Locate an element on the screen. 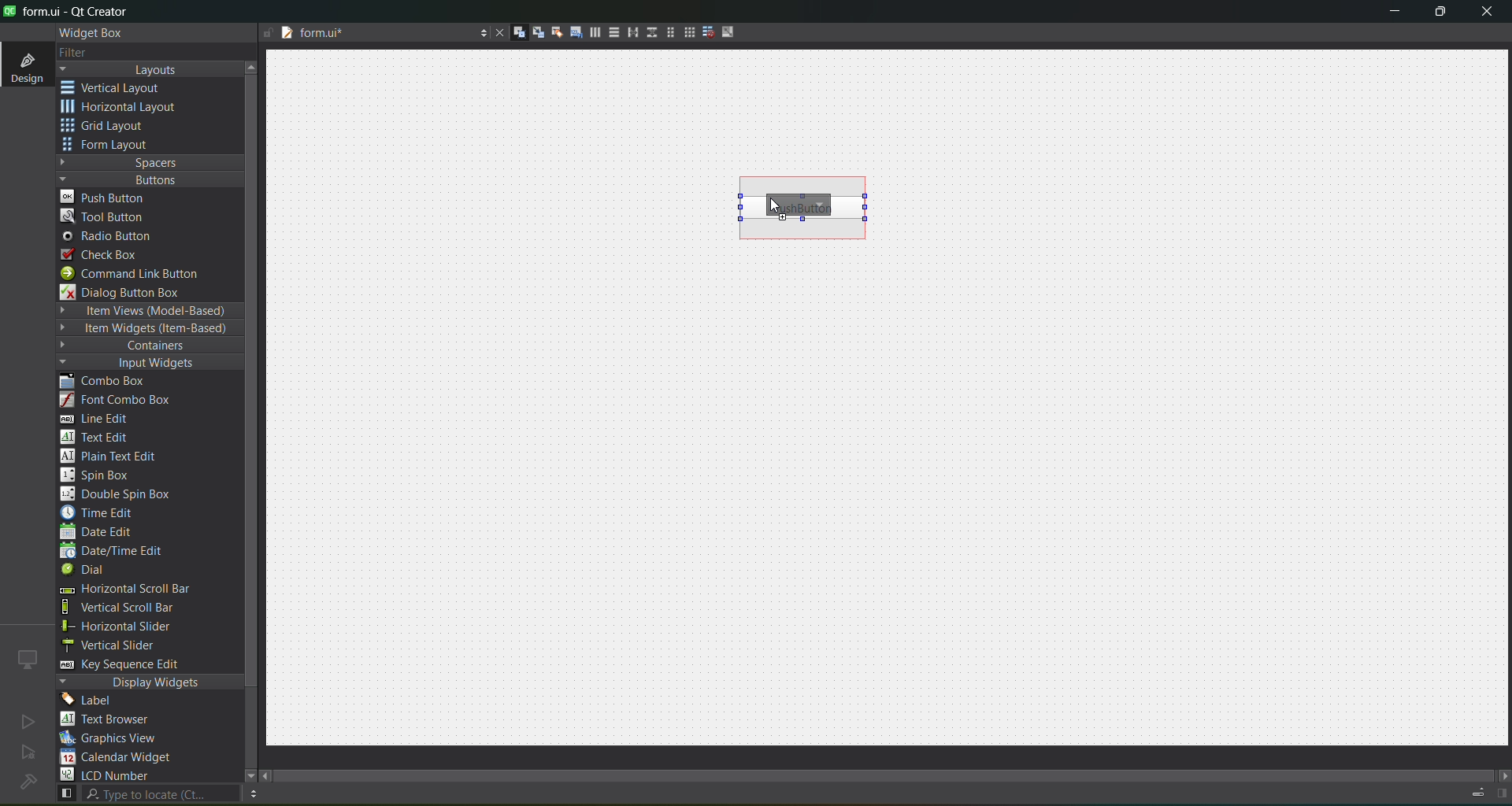 The width and height of the screenshot is (1512, 806). date/time edit is located at coordinates (126, 552).